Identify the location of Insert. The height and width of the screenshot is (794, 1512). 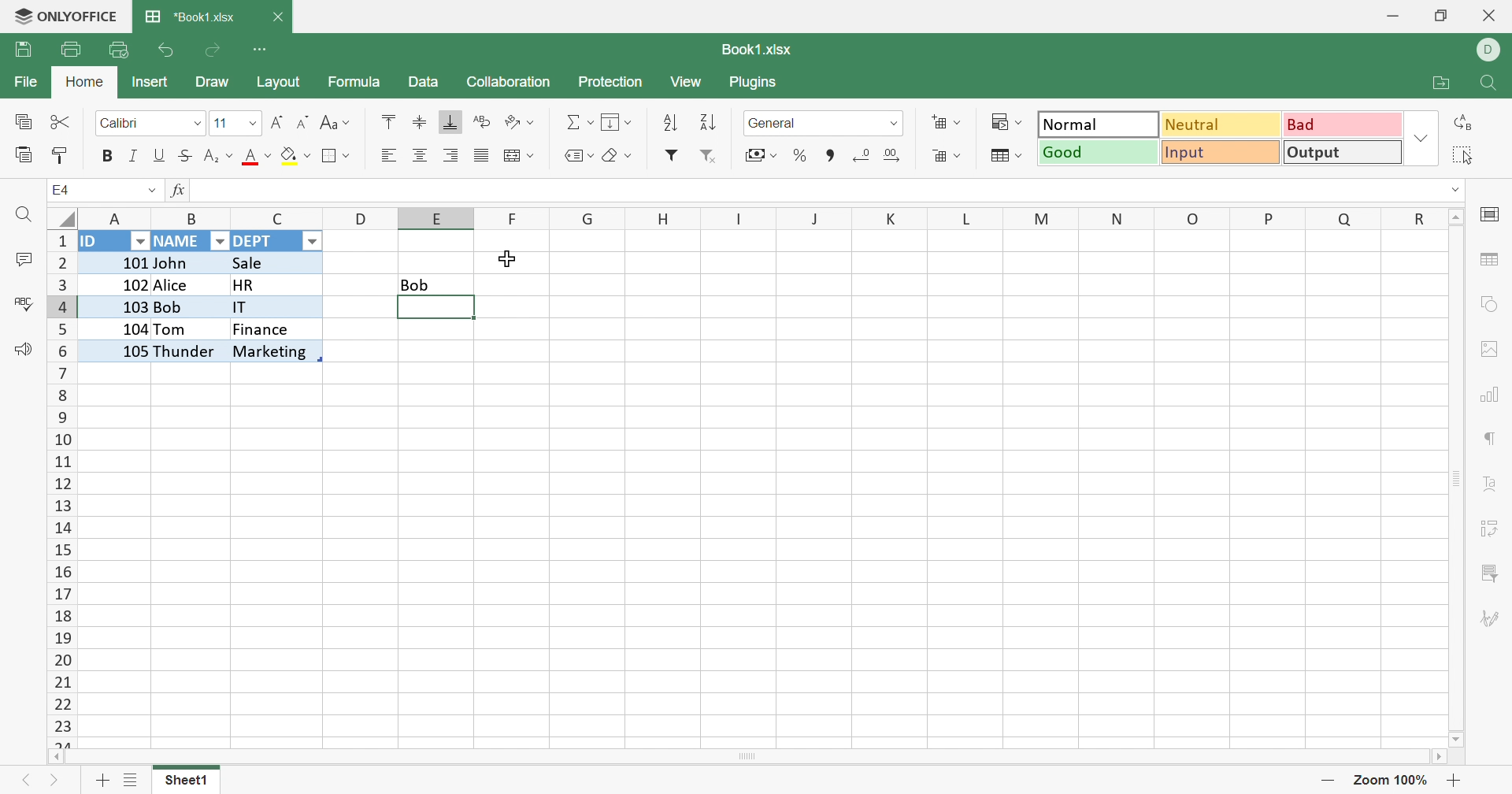
(155, 83).